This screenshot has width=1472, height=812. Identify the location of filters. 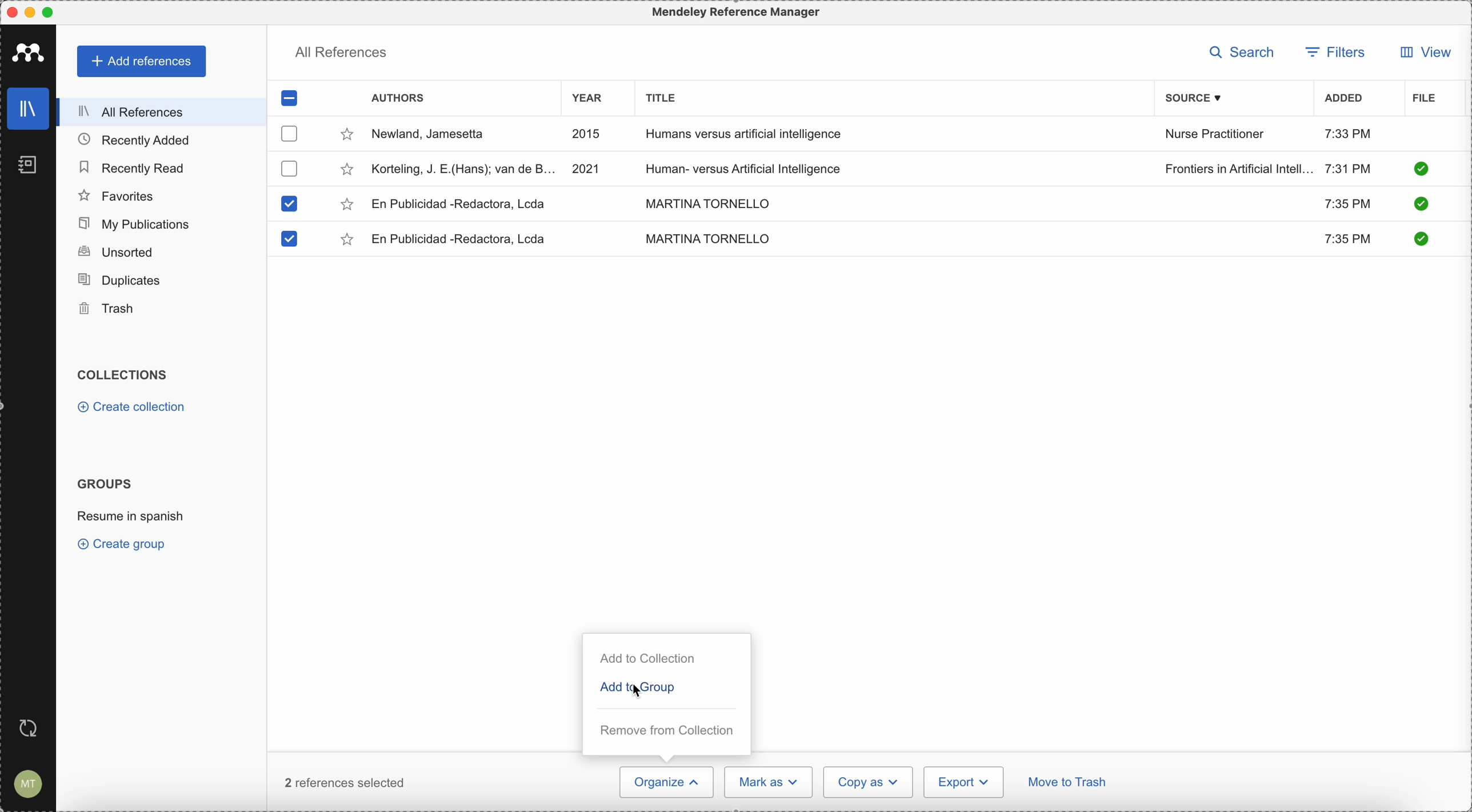
(1335, 54).